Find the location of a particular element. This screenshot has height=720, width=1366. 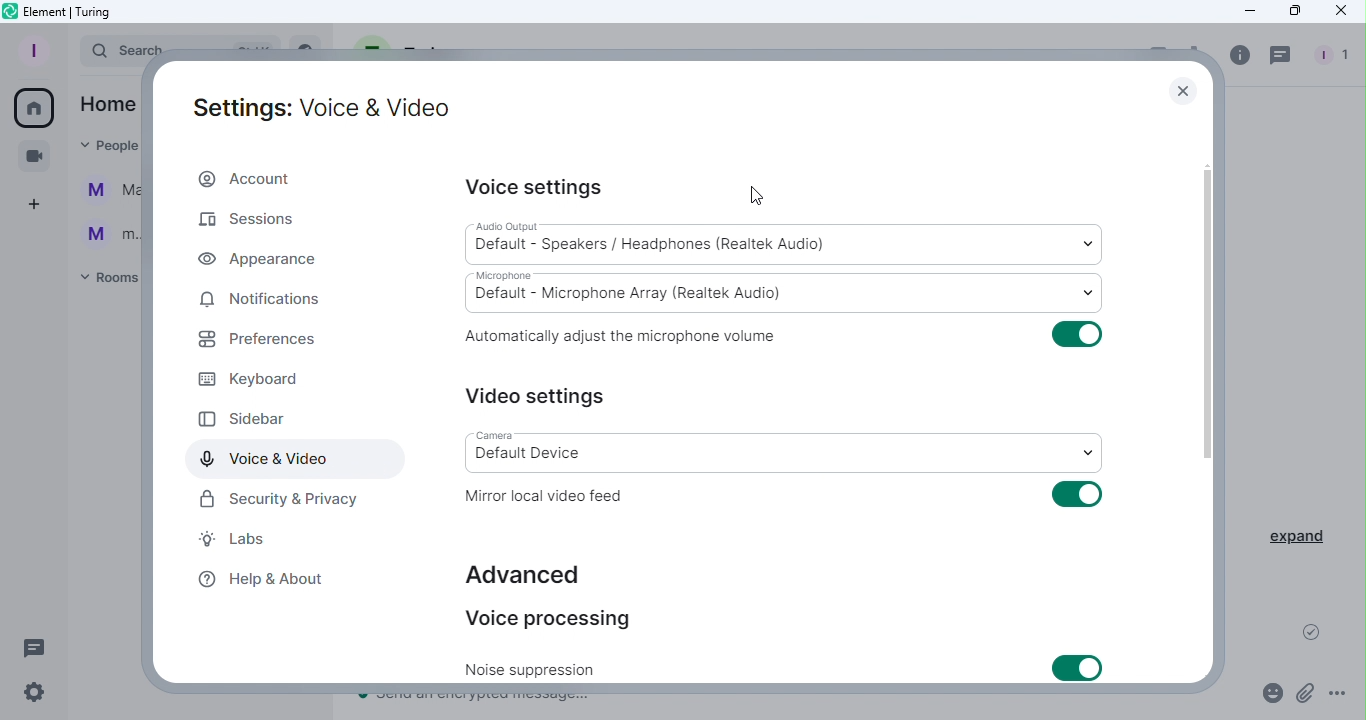

Settings: Voice and video is located at coordinates (322, 110).